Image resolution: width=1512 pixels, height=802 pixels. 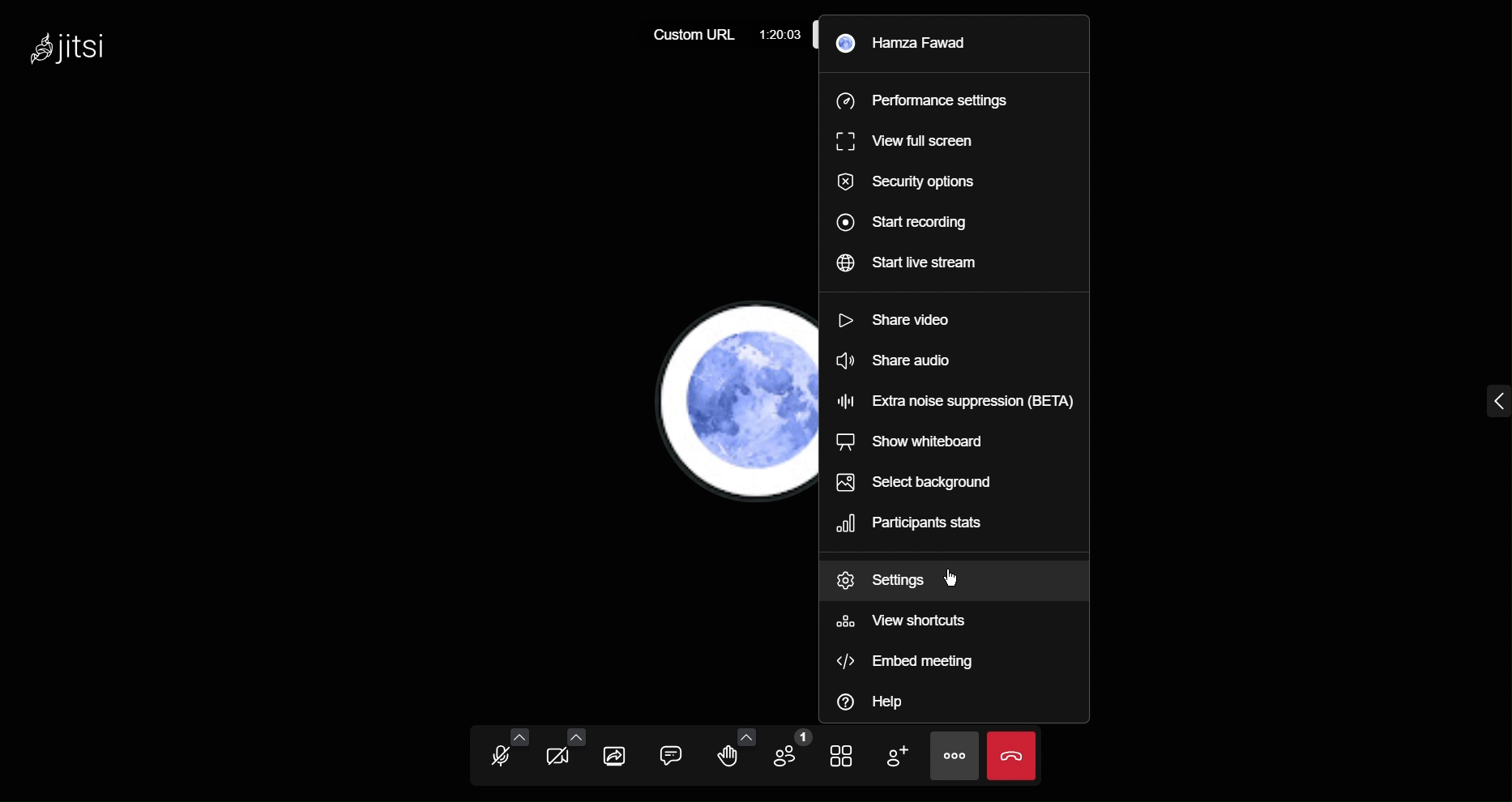 I want to click on 1:20:00, so click(x=781, y=35).